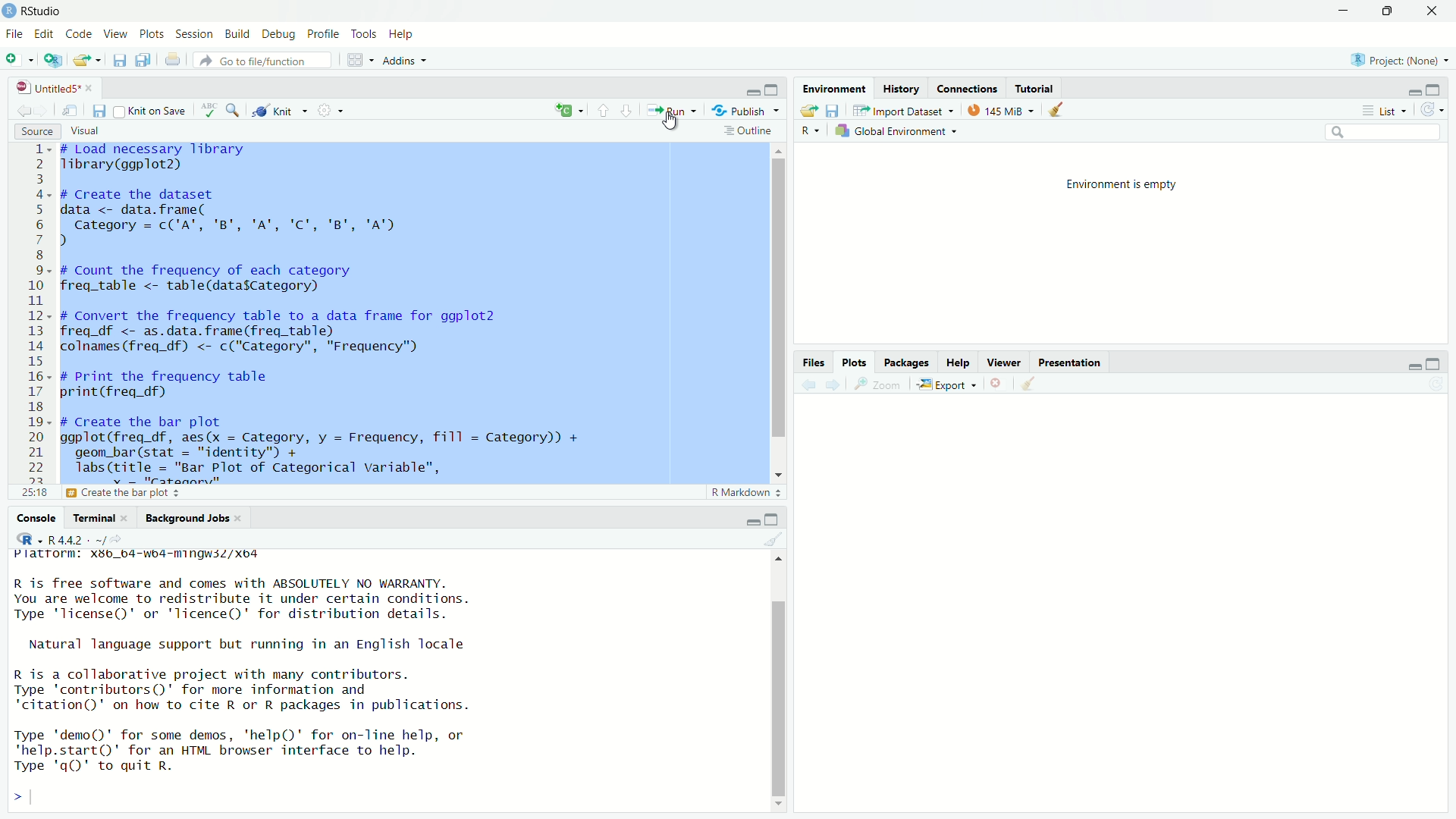  What do you see at coordinates (93, 518) in the screenshot?
I see `Terminal` at bounding box center [93, 518].